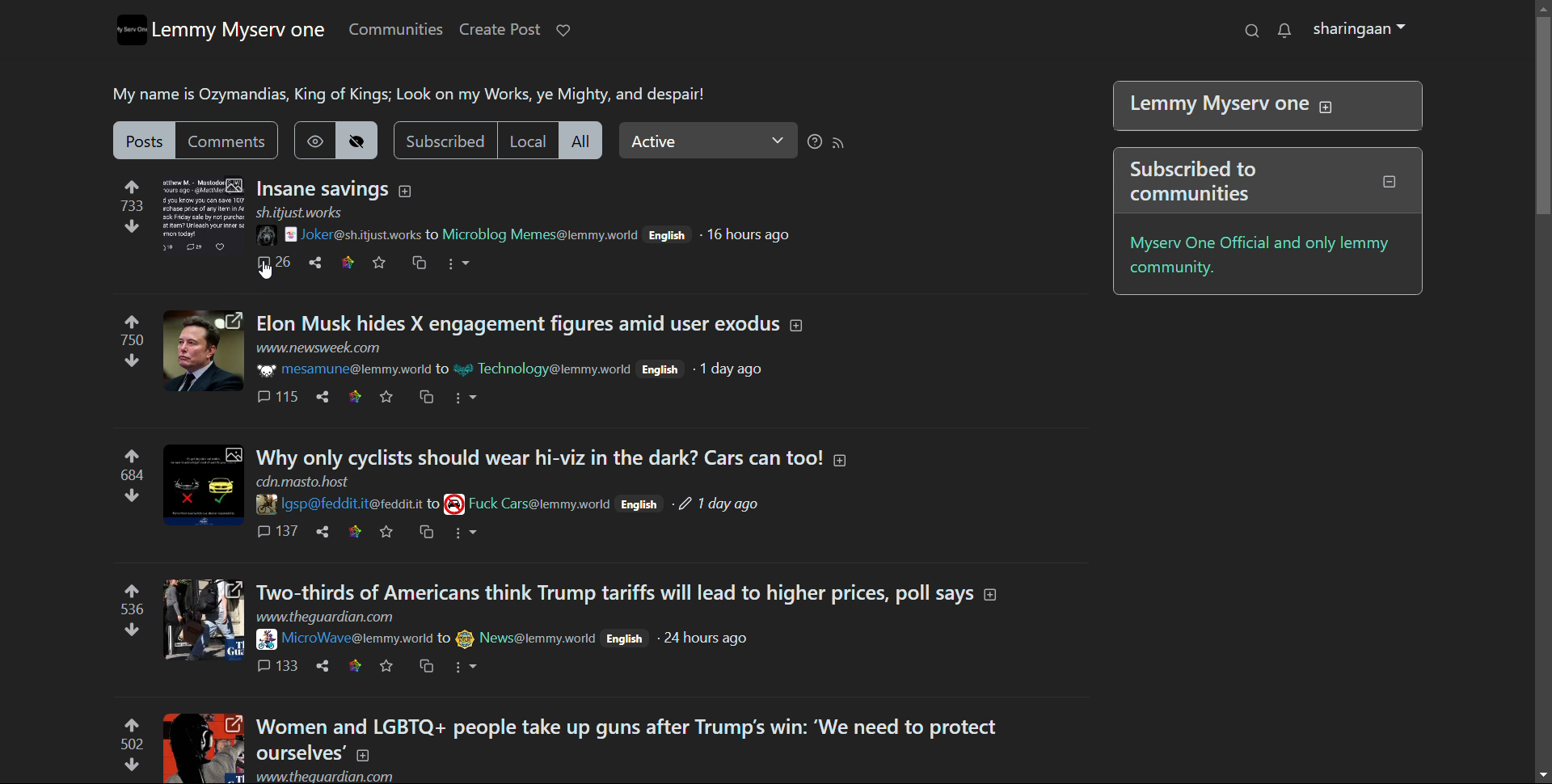 This screenshot has width=1552, height=784. Describe the element at coordinates (204, 619) in the screenshot. I see `Thumbnail` at that location.